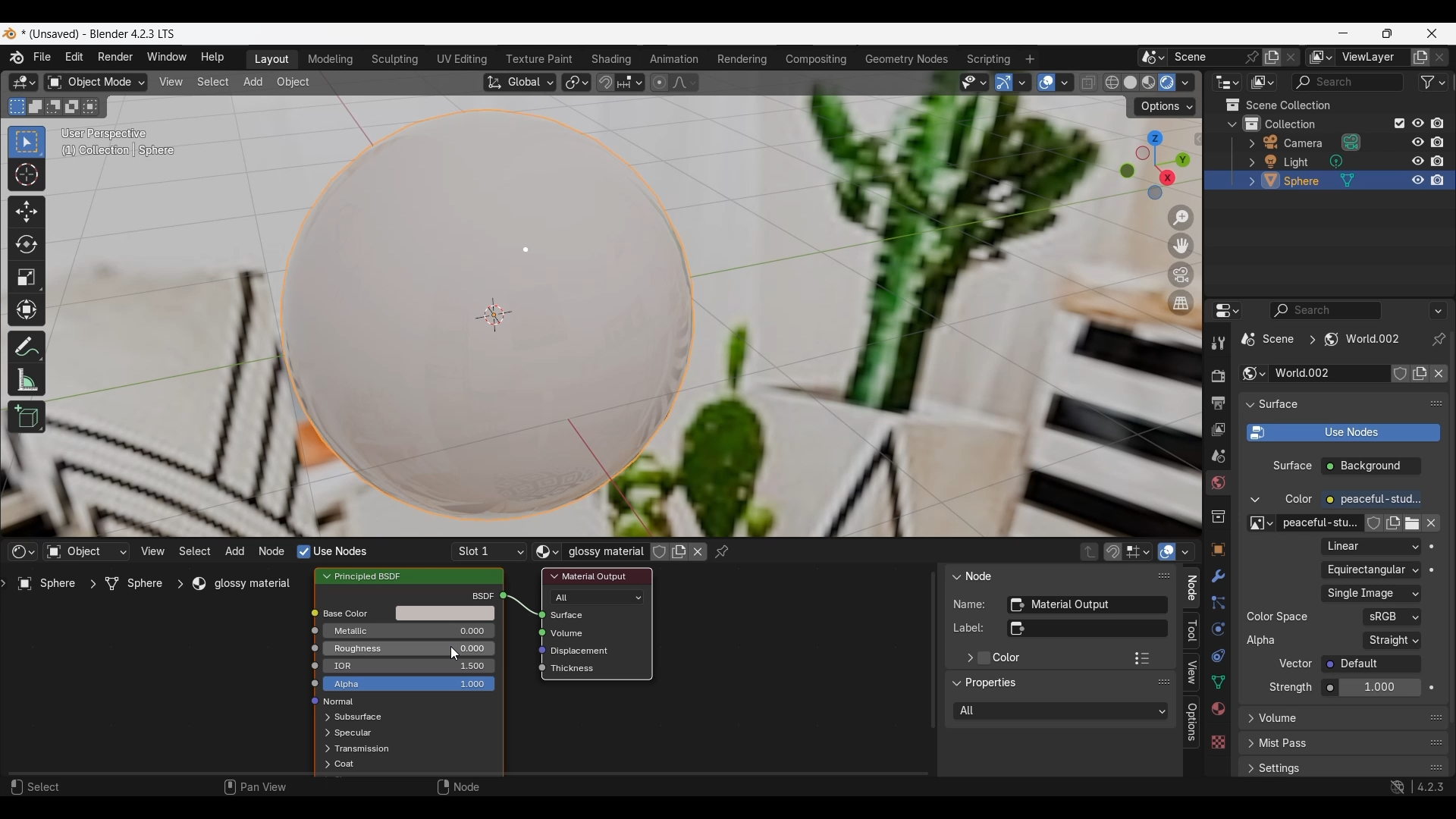 The width and height of the screenshot is (1456, 819). What do you see at coordinates (27, 175) in the screenshot?
I see `Cursor` at bounding box center [27, 175].